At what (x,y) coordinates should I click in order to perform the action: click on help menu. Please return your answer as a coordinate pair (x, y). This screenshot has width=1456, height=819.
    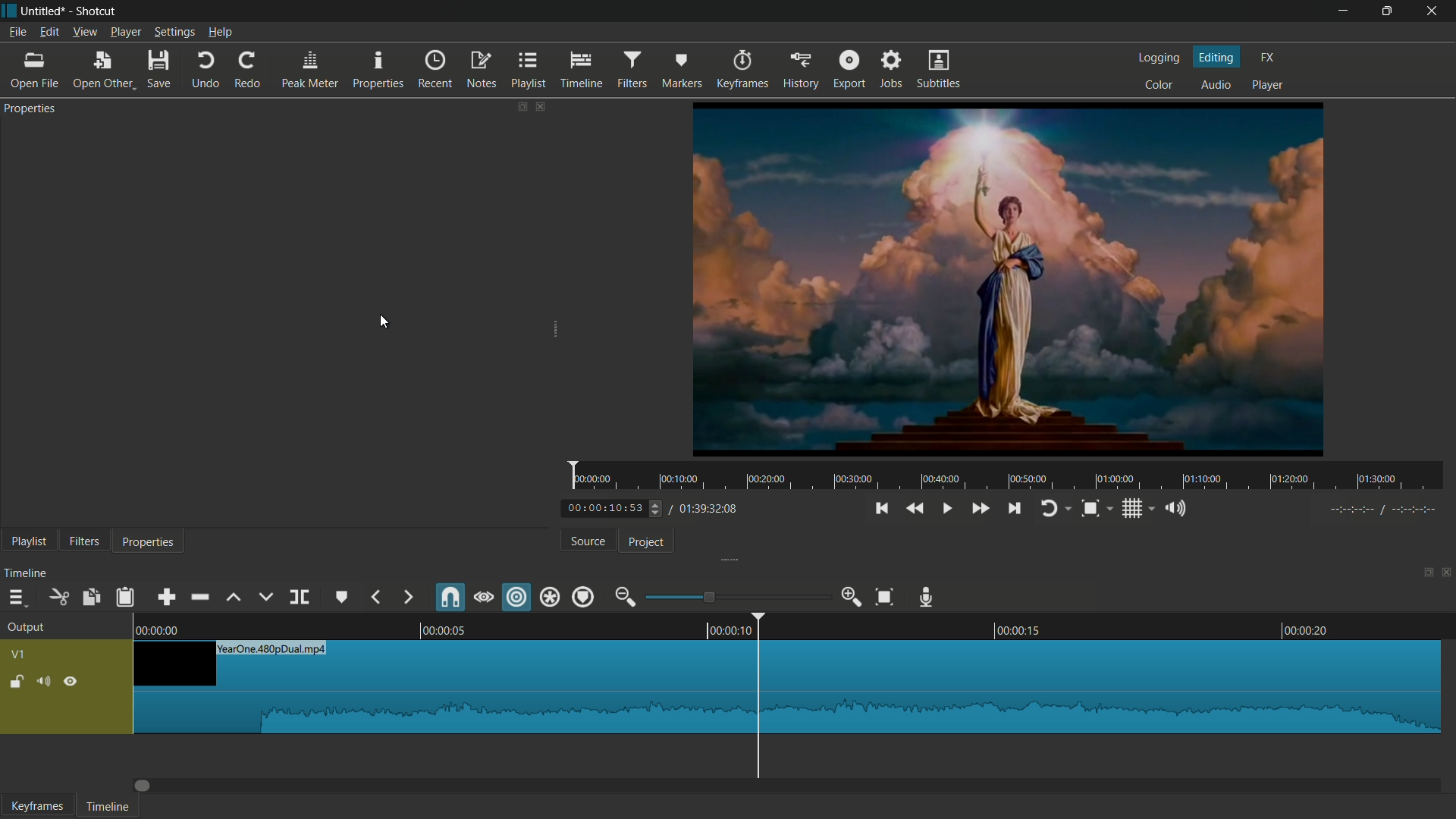
    Looking at the image, I should click on (221, 33).